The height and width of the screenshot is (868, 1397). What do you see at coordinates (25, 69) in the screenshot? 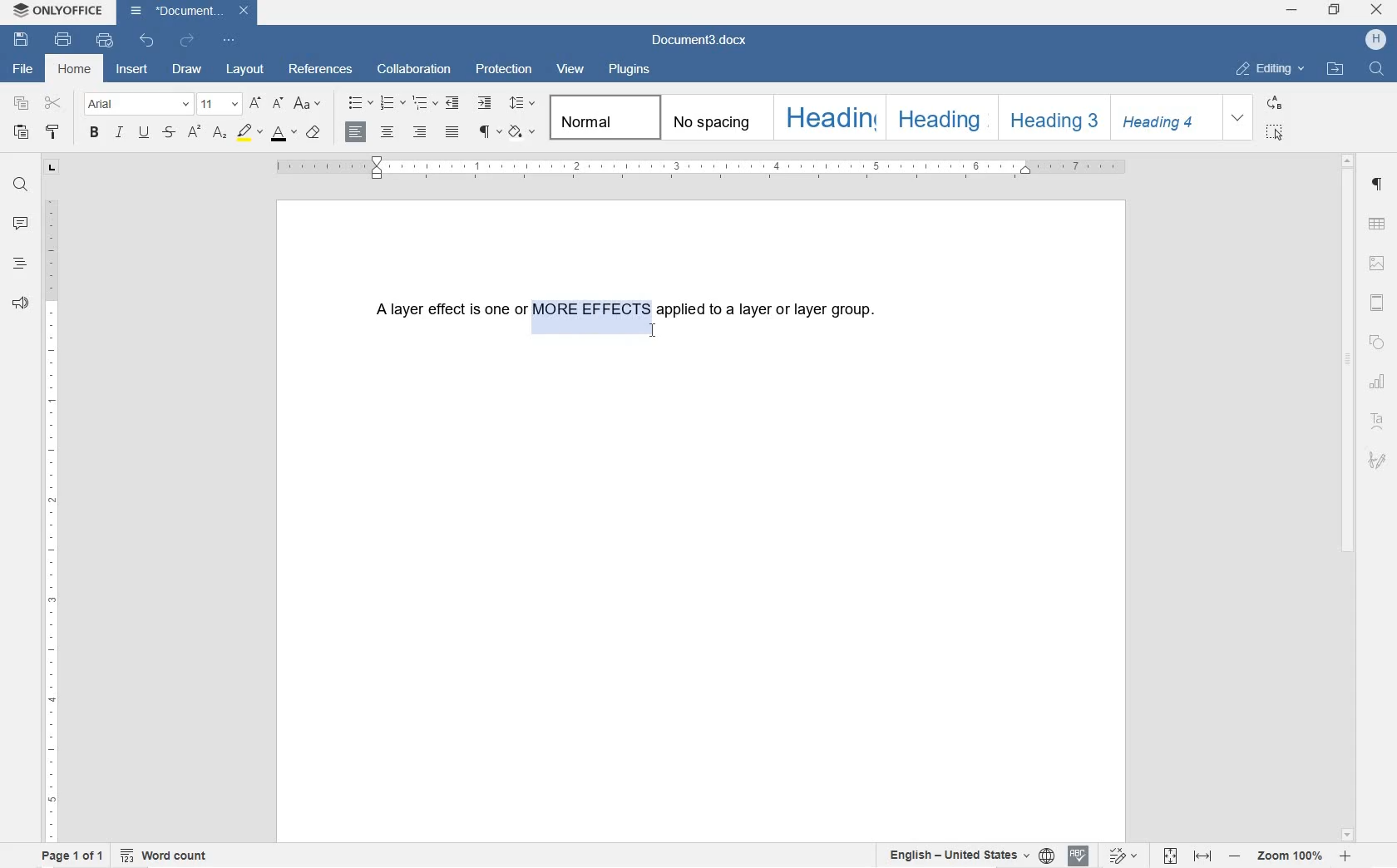
I see `FILE` at bounding box center [25, 69].